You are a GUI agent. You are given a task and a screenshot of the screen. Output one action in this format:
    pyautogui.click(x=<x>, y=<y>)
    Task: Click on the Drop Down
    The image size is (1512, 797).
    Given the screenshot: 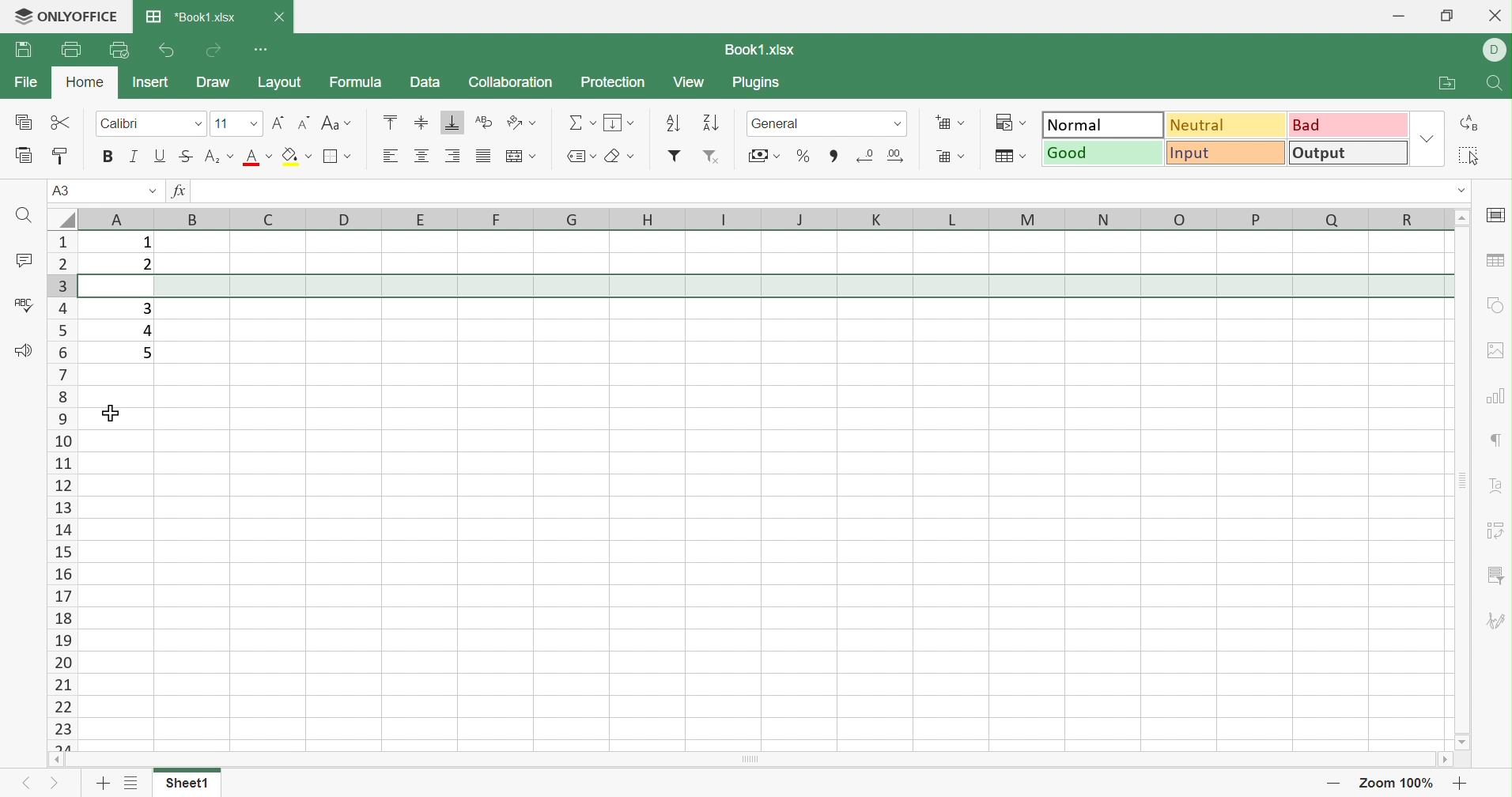 What is the action you would take?
    pyautogui.click(x=631, y=155)
    